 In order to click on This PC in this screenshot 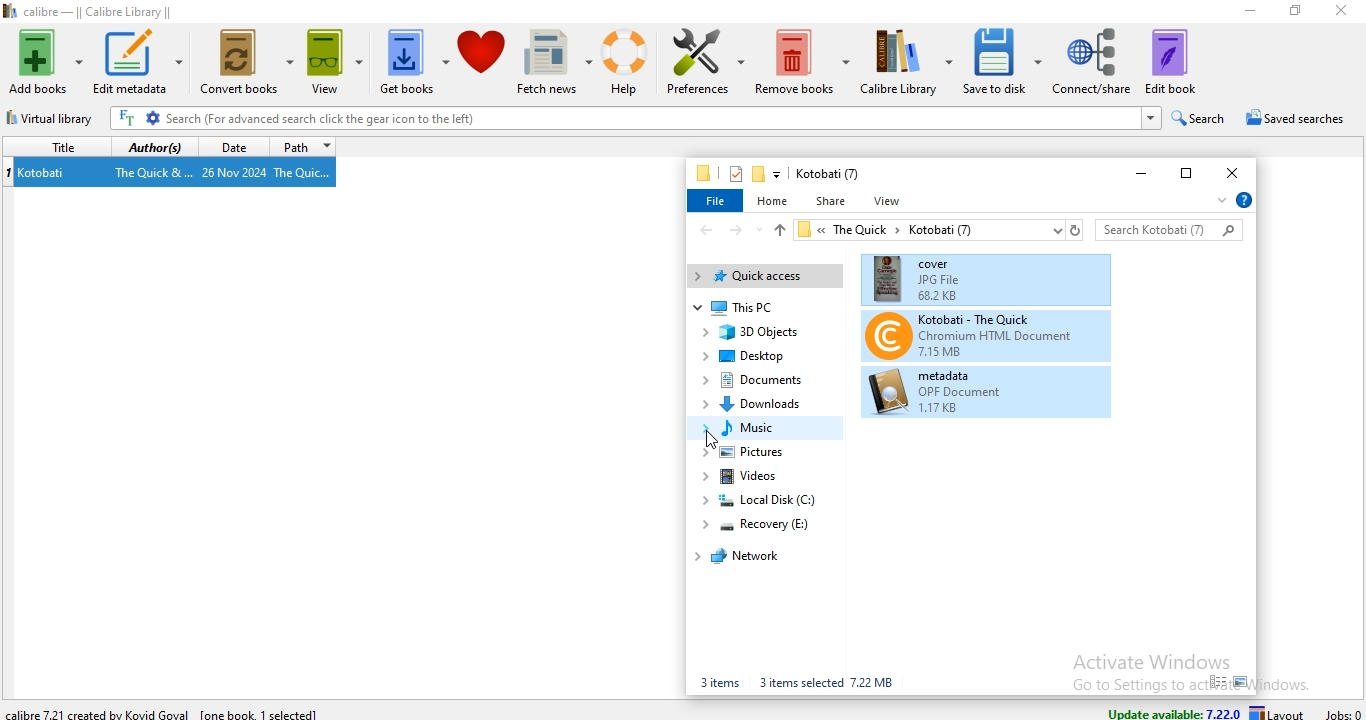, I will do `click(768, 308)`.